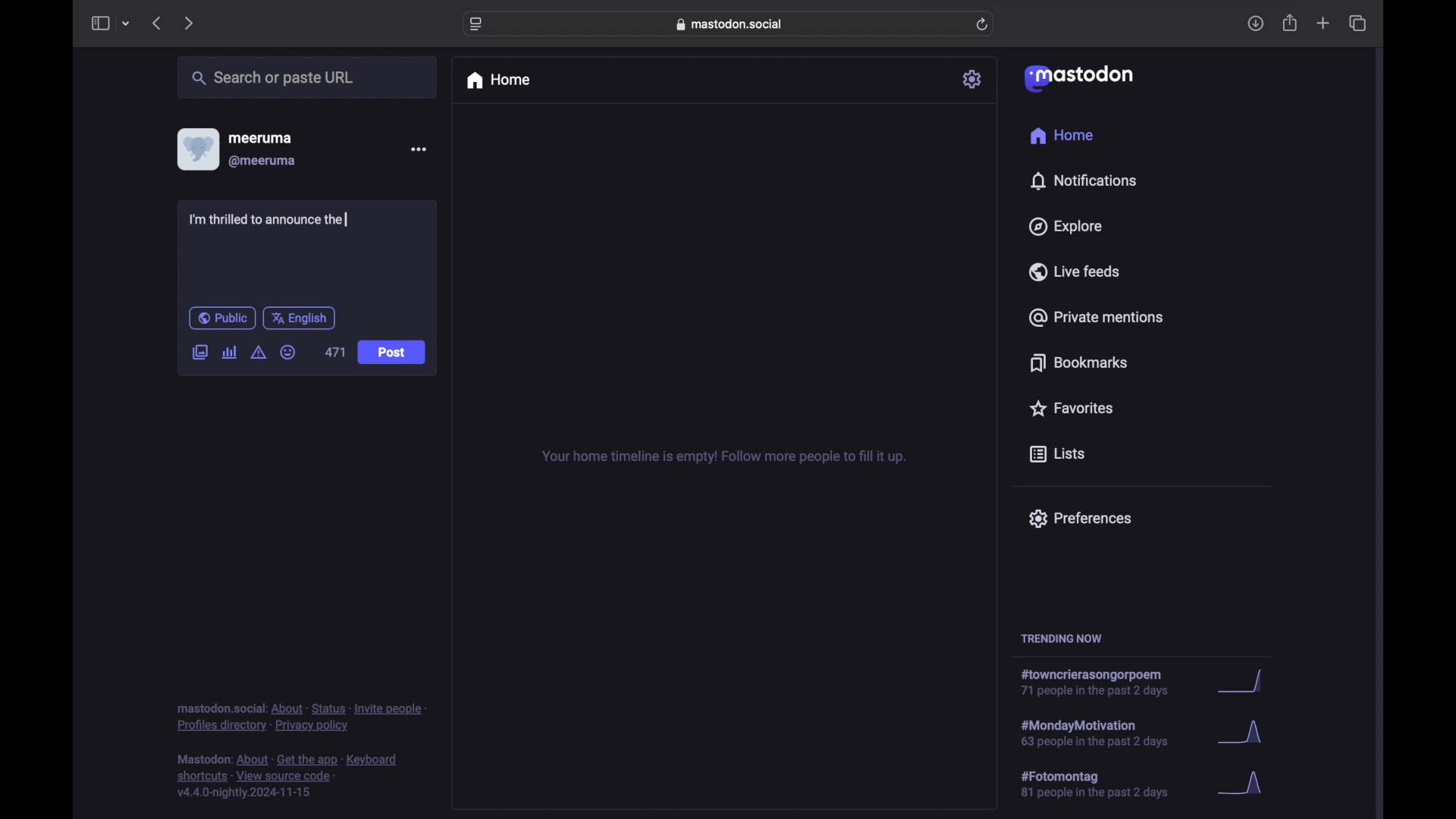 This screenshot has width=1456, height=819. I want to click on footnote, so click(287, 777).